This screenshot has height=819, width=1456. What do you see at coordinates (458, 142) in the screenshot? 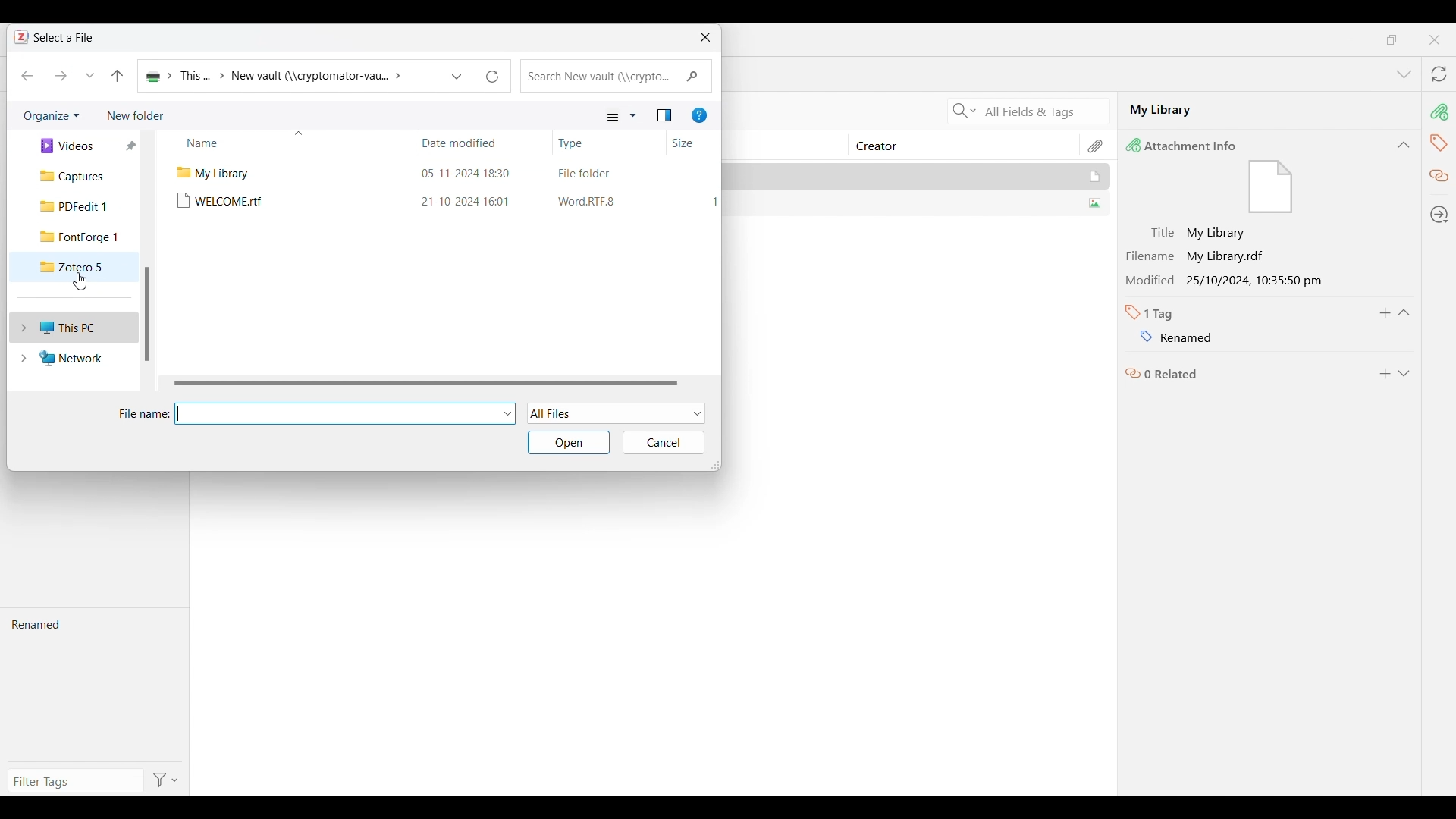
I see `Date modified ` at bounding box center [458, 142].